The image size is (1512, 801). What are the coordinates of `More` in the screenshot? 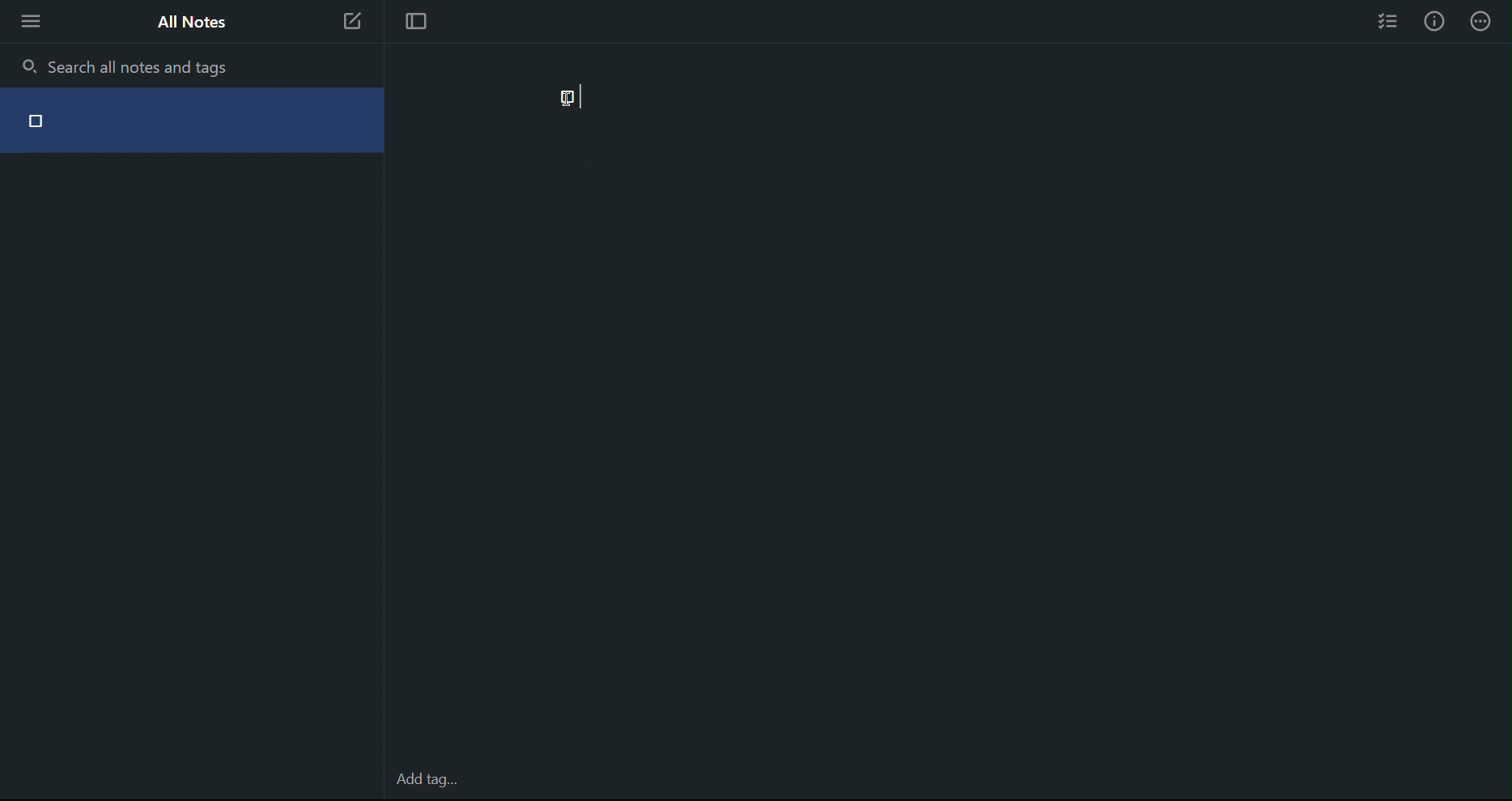 It's located at (30, 21).